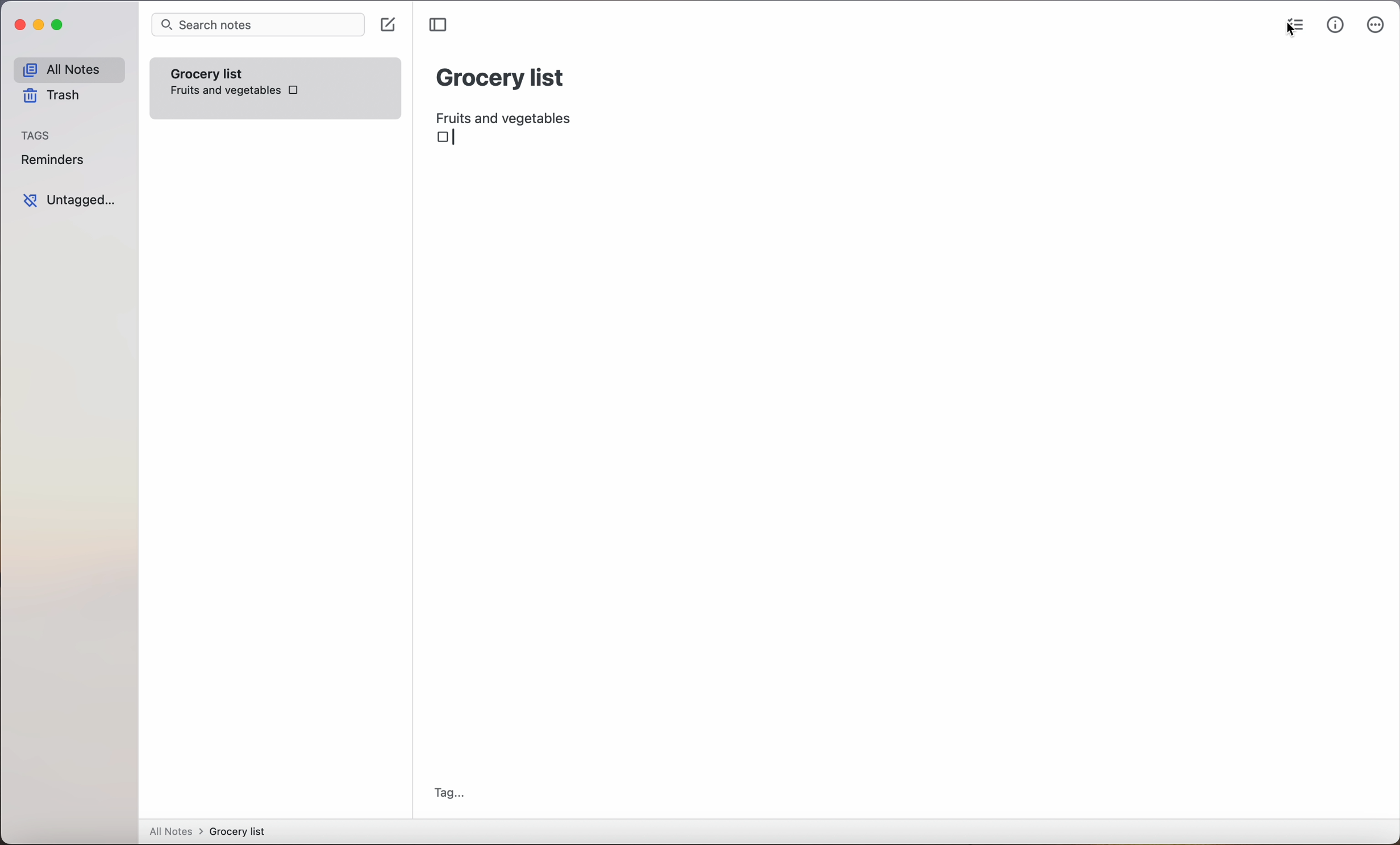 This screenshot has width=1400, height=845. What do you see at coordinates (68, 70) in the screenshot?
I see `all notes` at bounding box center [68, 70].